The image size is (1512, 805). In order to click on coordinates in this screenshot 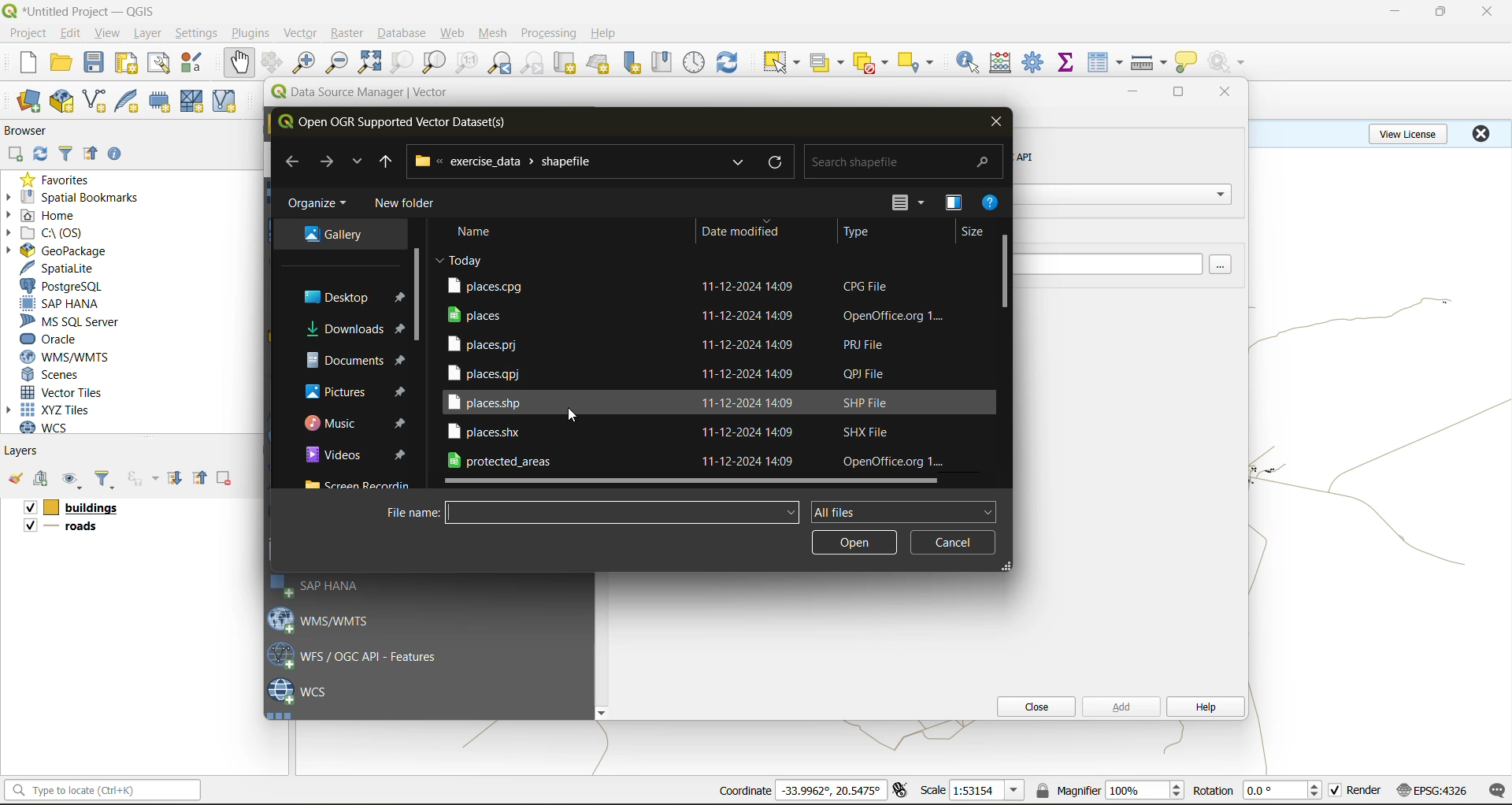, I will do `click(831, 790)`.